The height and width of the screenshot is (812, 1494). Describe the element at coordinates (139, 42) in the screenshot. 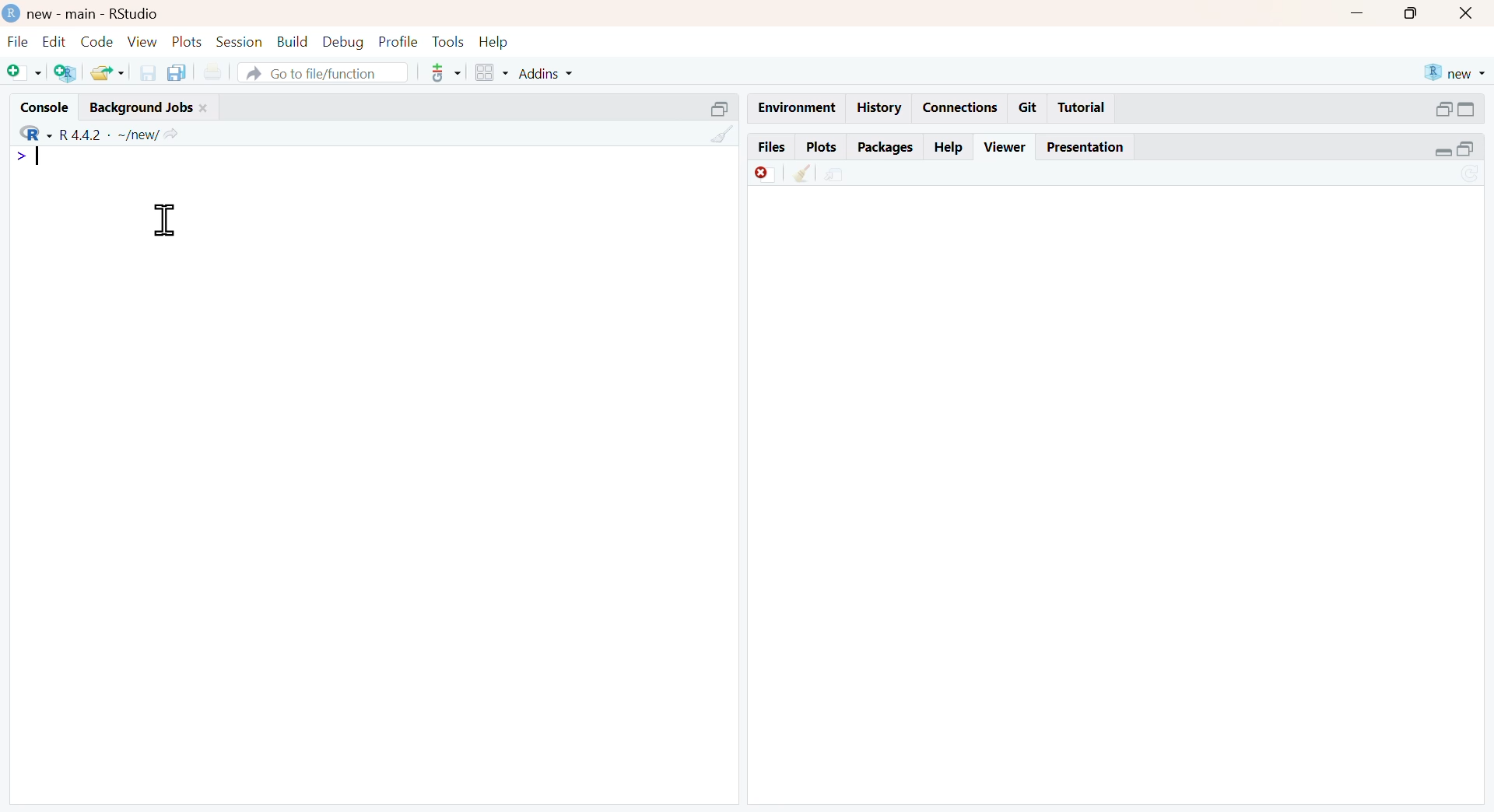

I see `View` at that location.